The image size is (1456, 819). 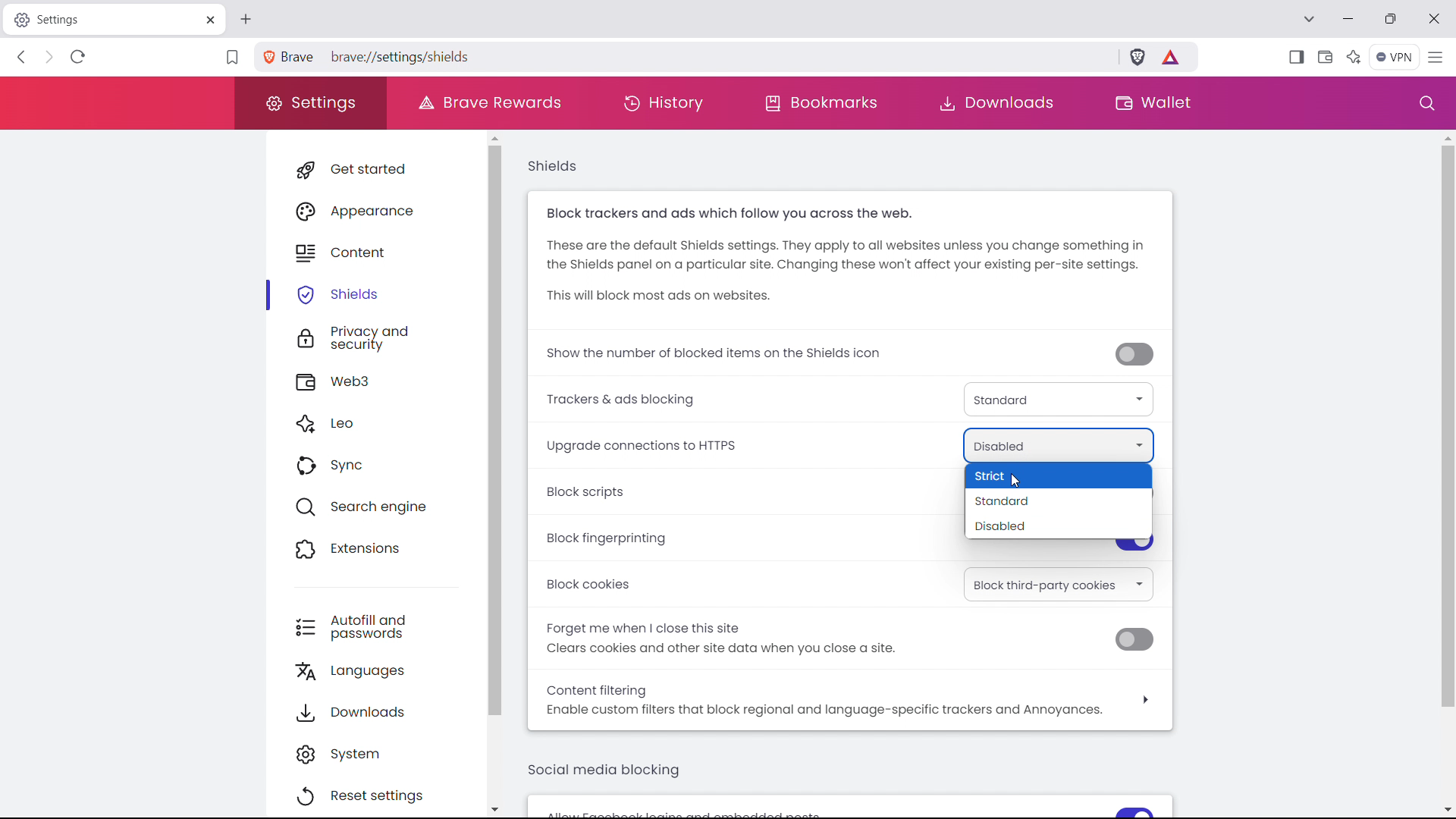 I want to click on scroll down, so click(x=504, y=808).